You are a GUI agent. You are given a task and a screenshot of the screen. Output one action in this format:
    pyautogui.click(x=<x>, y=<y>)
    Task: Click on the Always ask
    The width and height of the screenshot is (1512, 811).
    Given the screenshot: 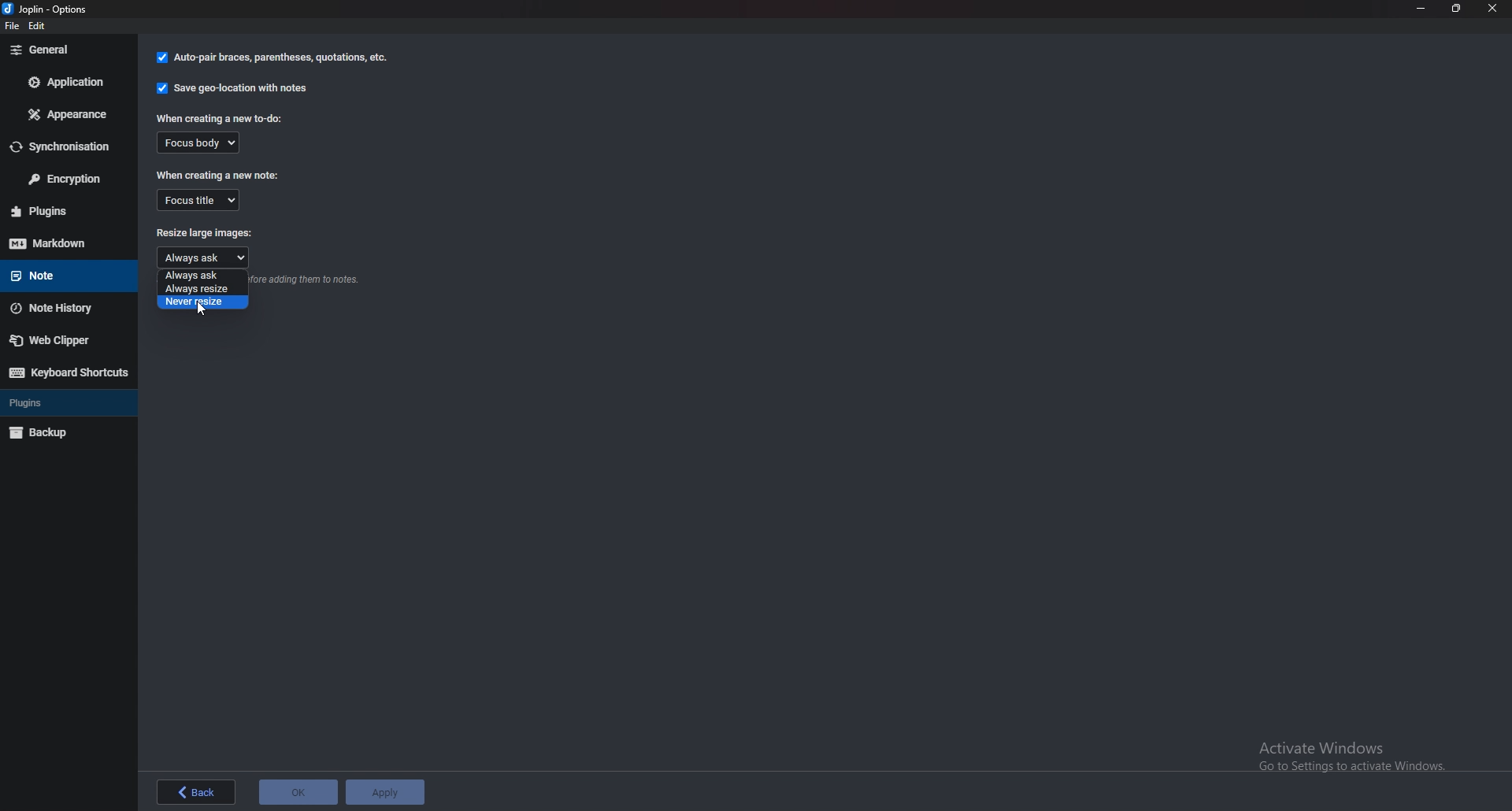 What is the action you would take?
    pyautogui.click(x=200, y=257)
    